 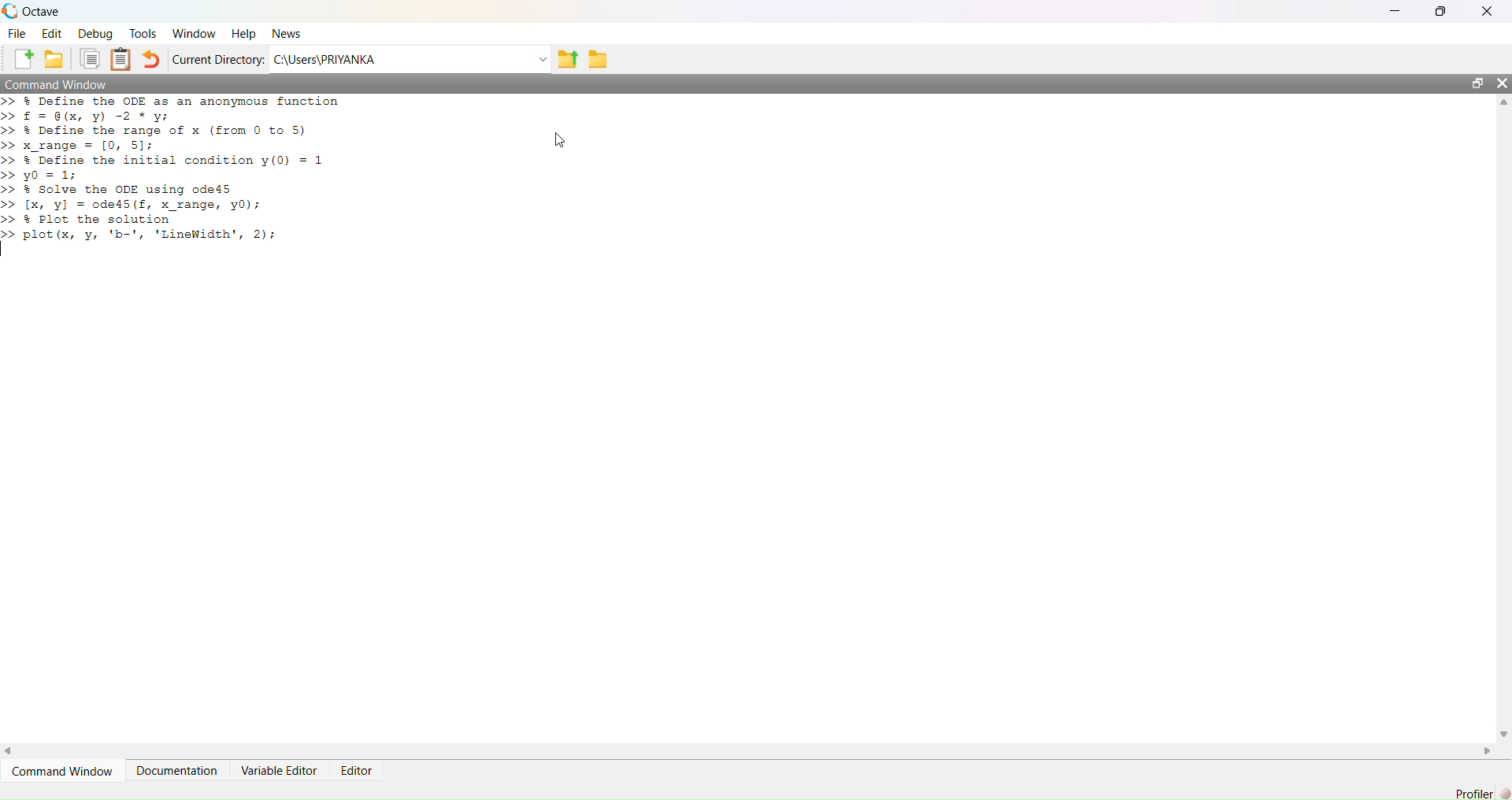 I want to click on Documentation, so click(x=177, y=771).